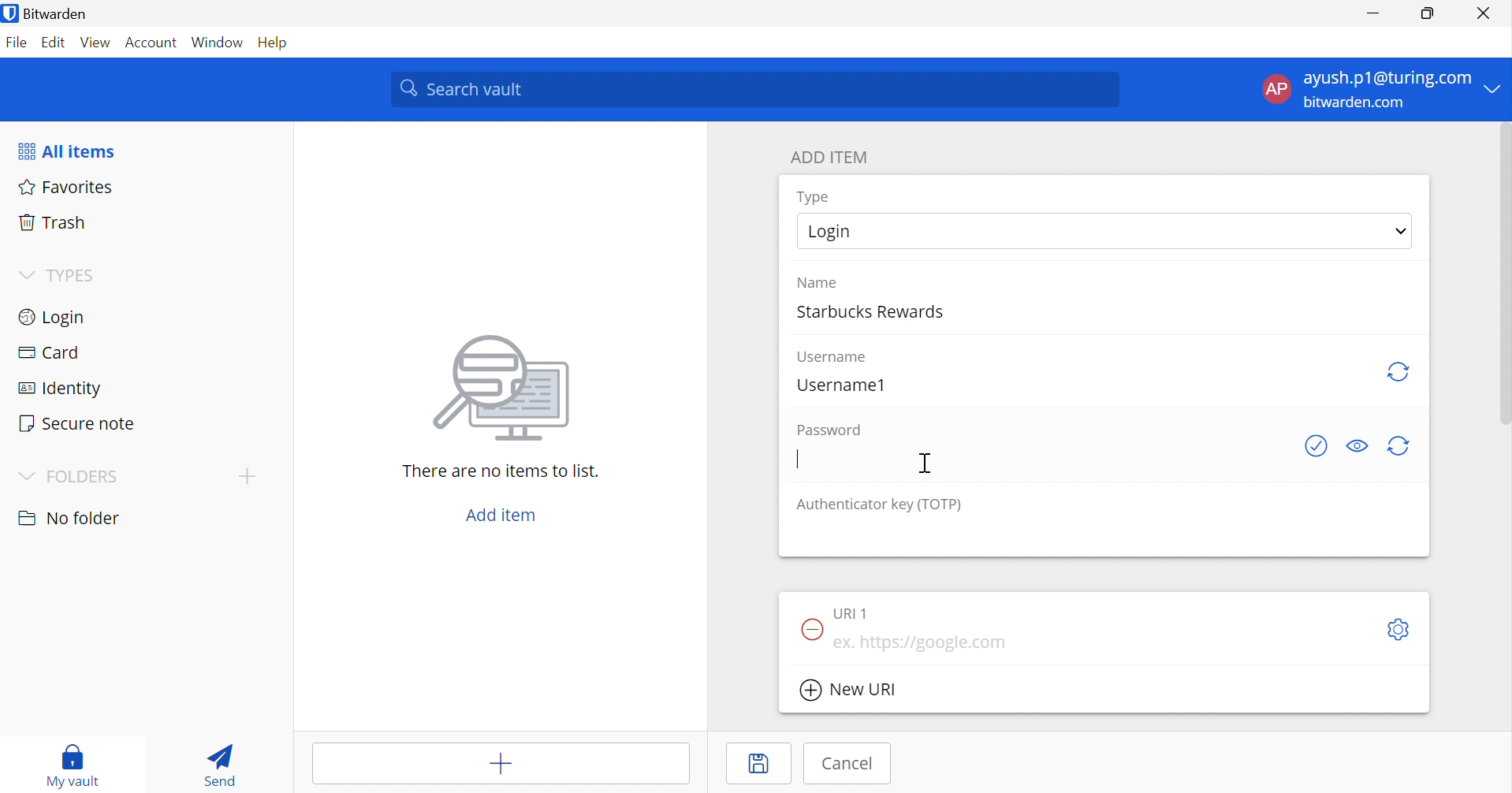 The height and width of the screenshot is (793, 1512). Describe the element at coordinates (84, 478) in the screenshot. I see `FOLDERS` at that location.